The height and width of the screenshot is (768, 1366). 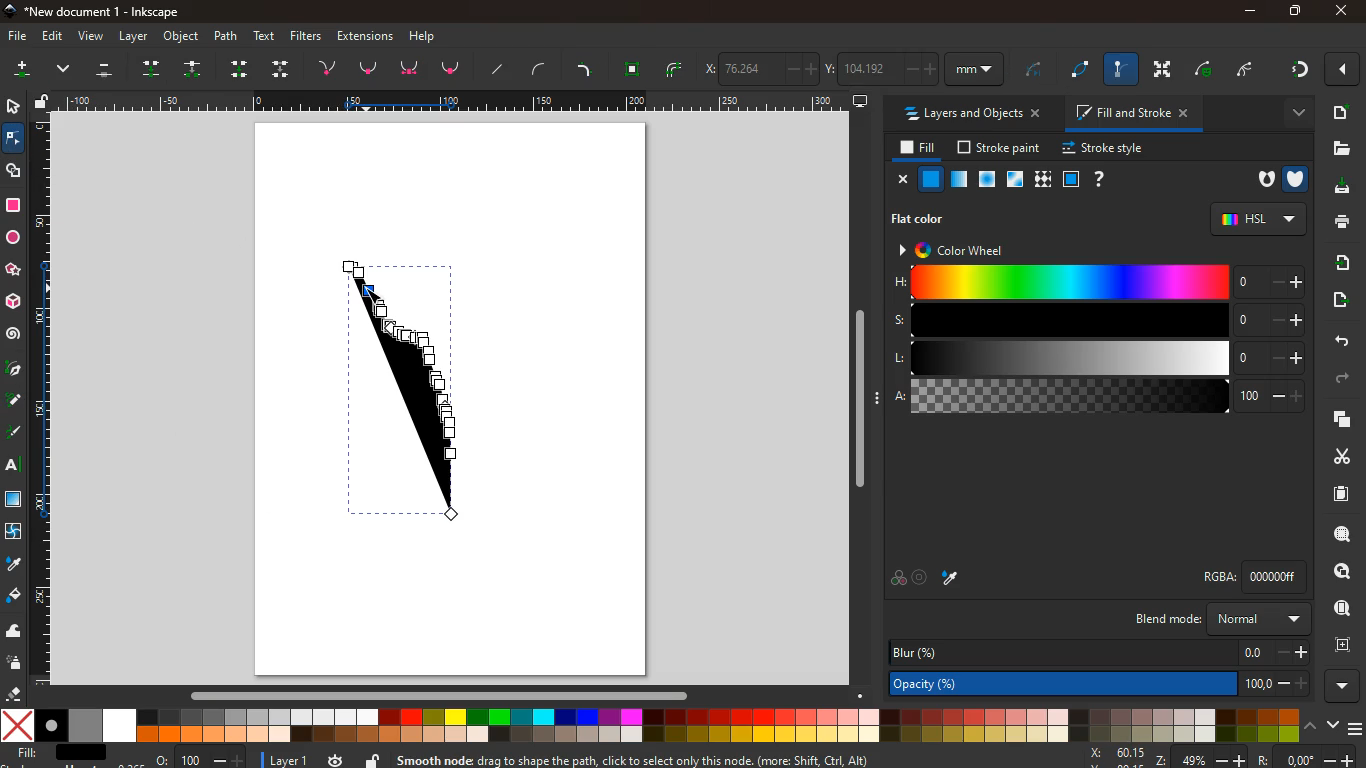 What do you see at coordinates (228, 35) in the screenshot?
I see `path` at bounding box center [228, 35].